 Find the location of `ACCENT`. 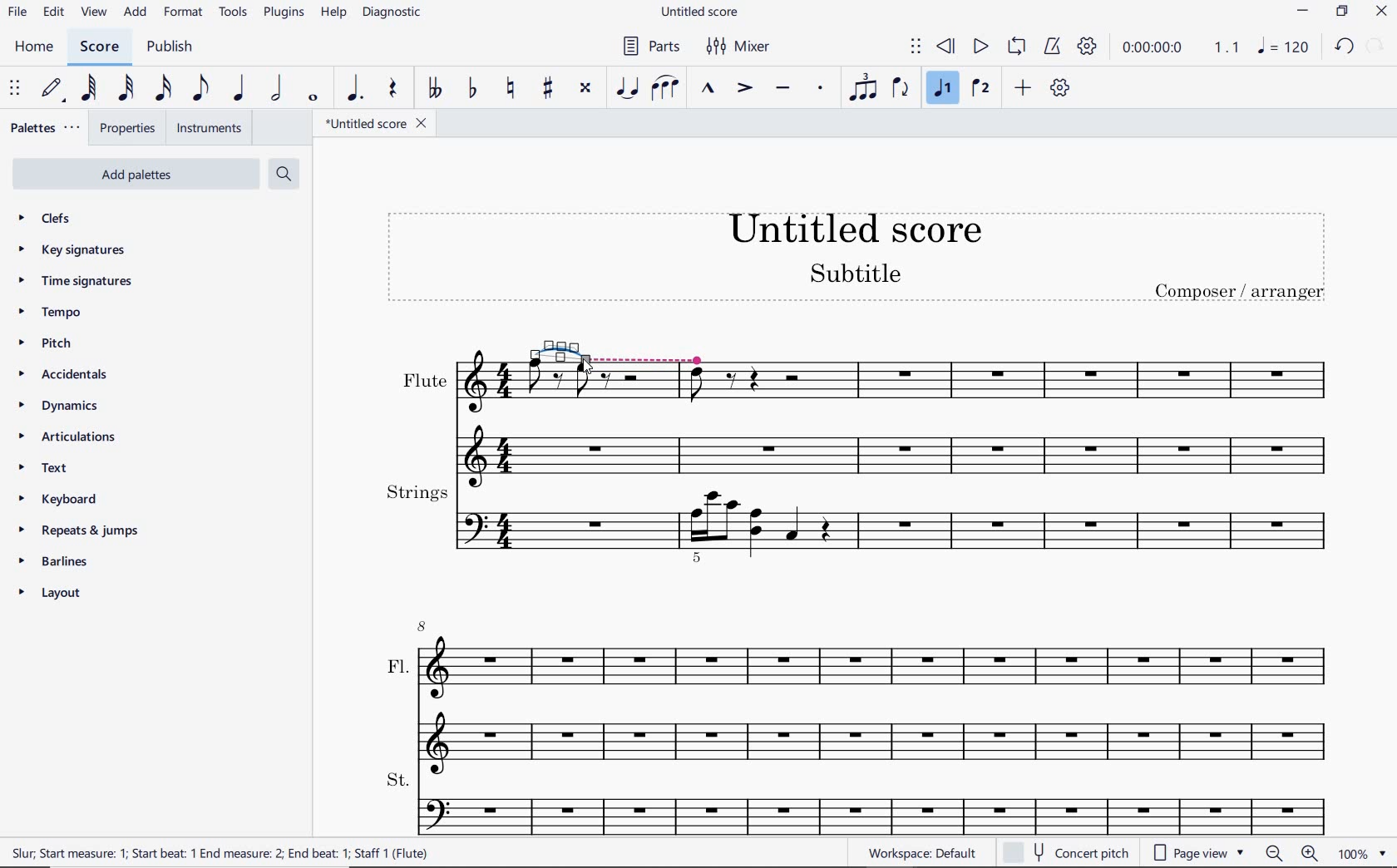

ACCENT is located at coordinates (741, 90).